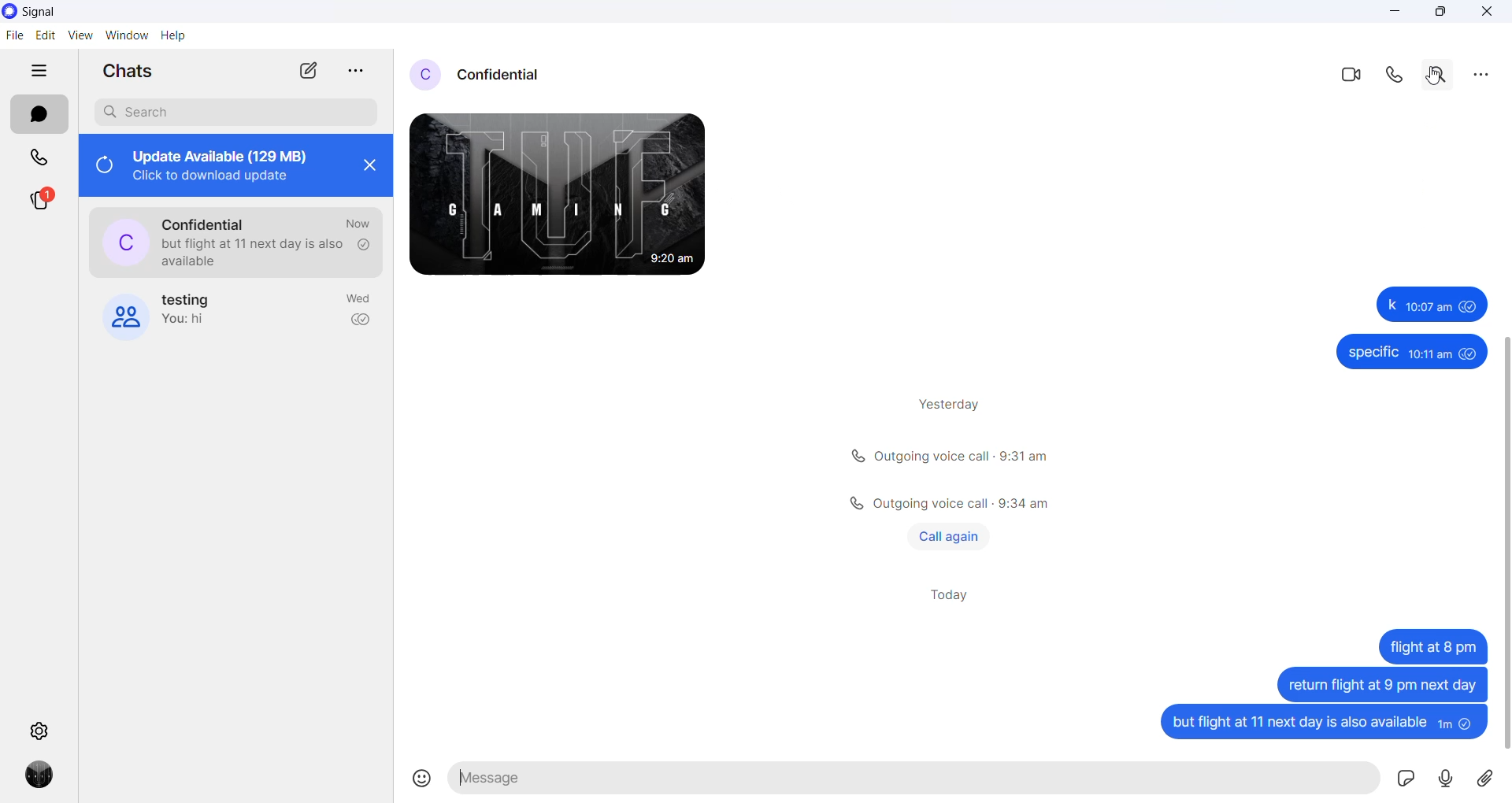 Image resolution: width=1512 pixels, height=803 pixels. Describe the element at coordinates (363, 245) in the screenshot. I see `read recipient` at that location.